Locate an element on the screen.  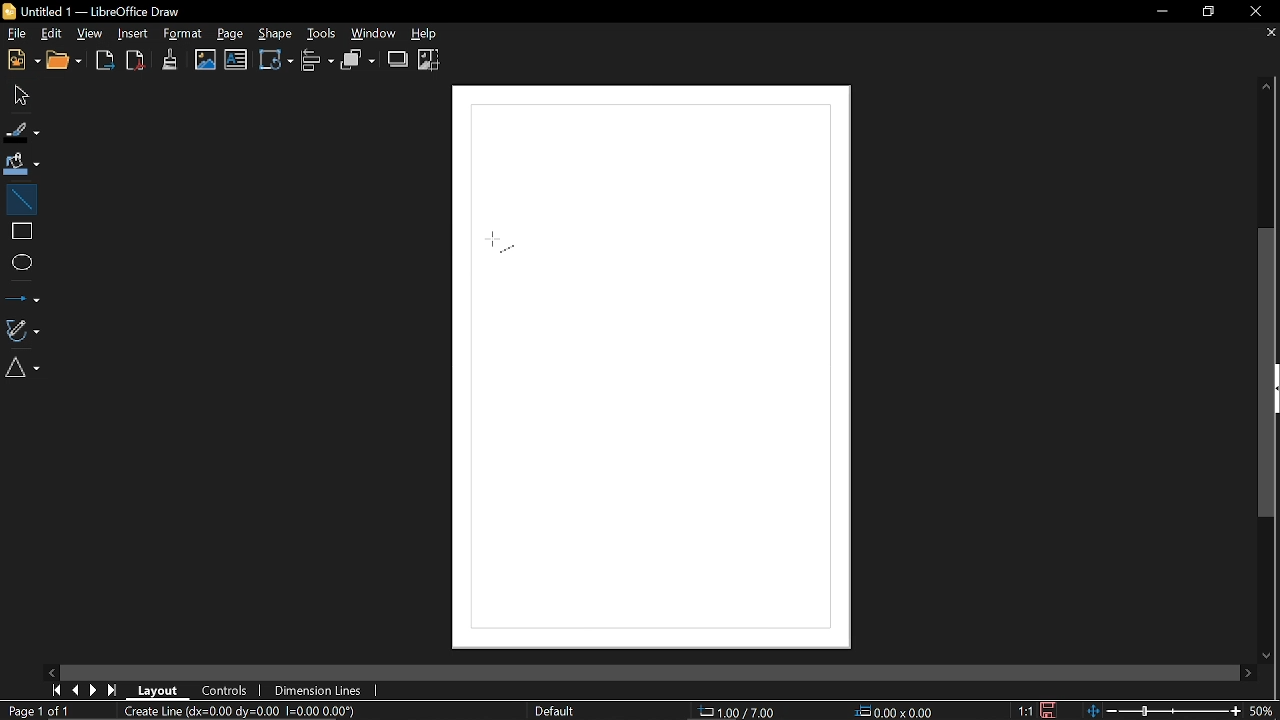
Help is located at coordinates (431, 35).